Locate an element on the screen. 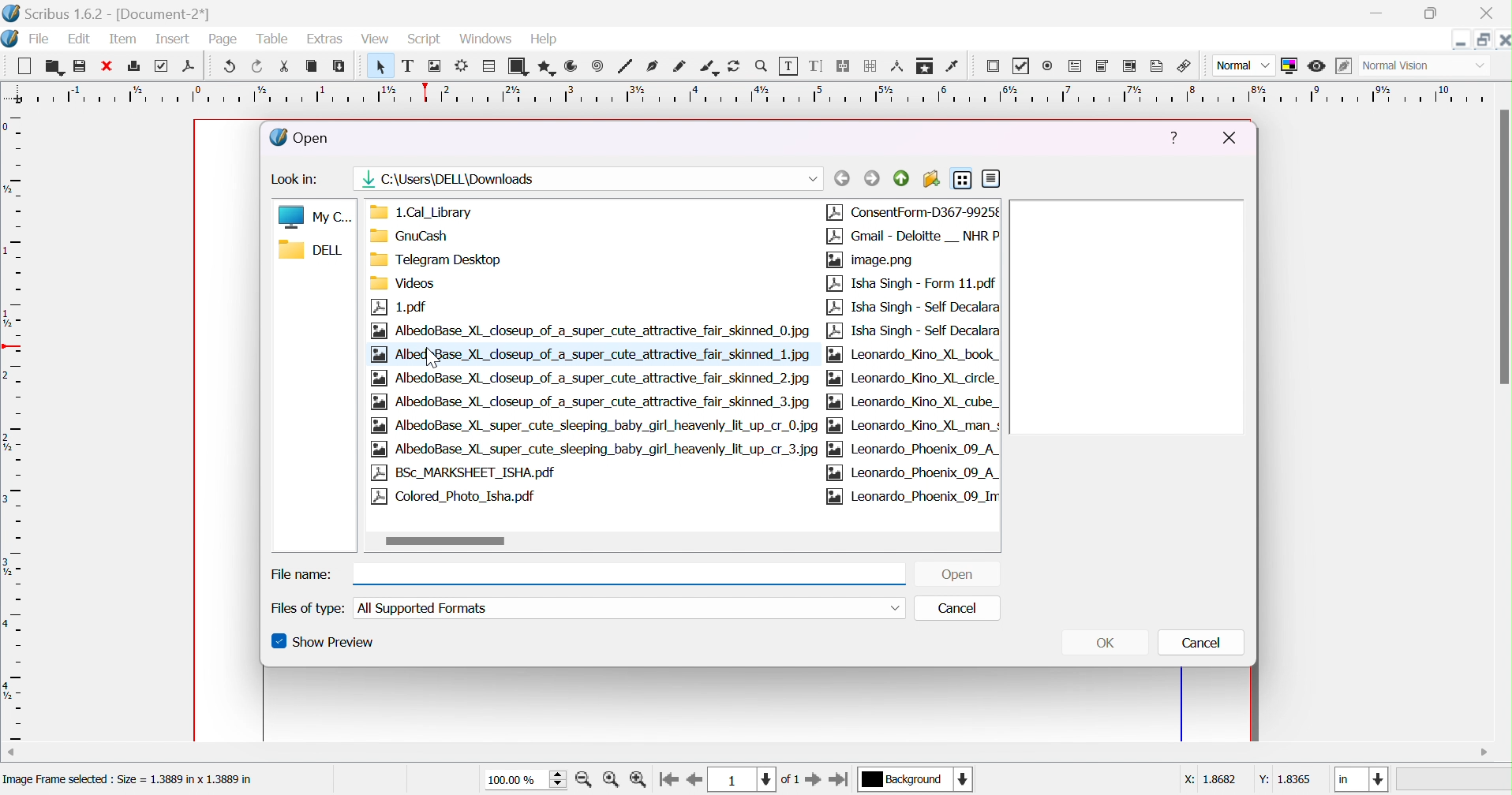  script is located at coordinates (425, 39).